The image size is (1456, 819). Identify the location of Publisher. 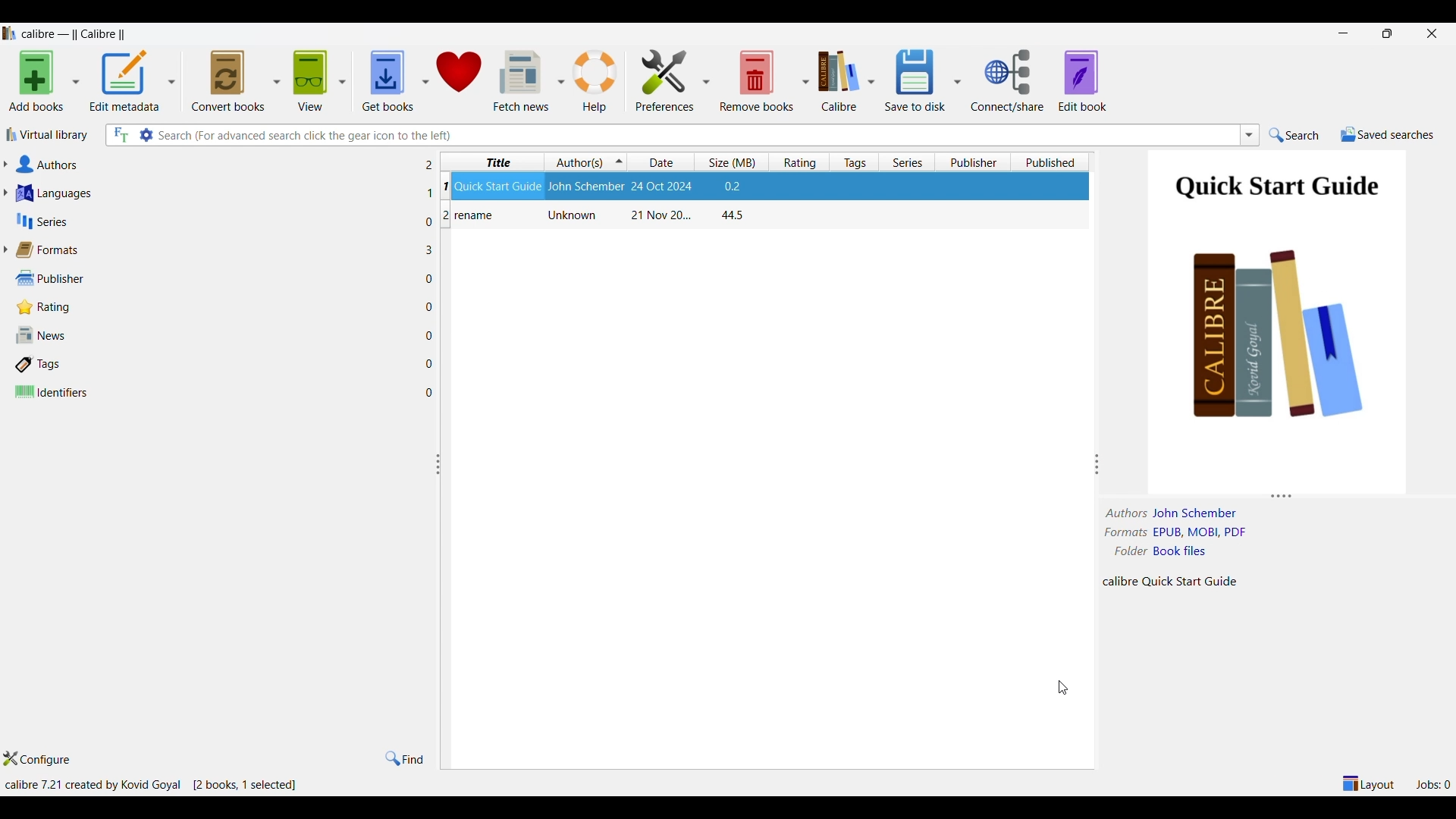
(215, 279).